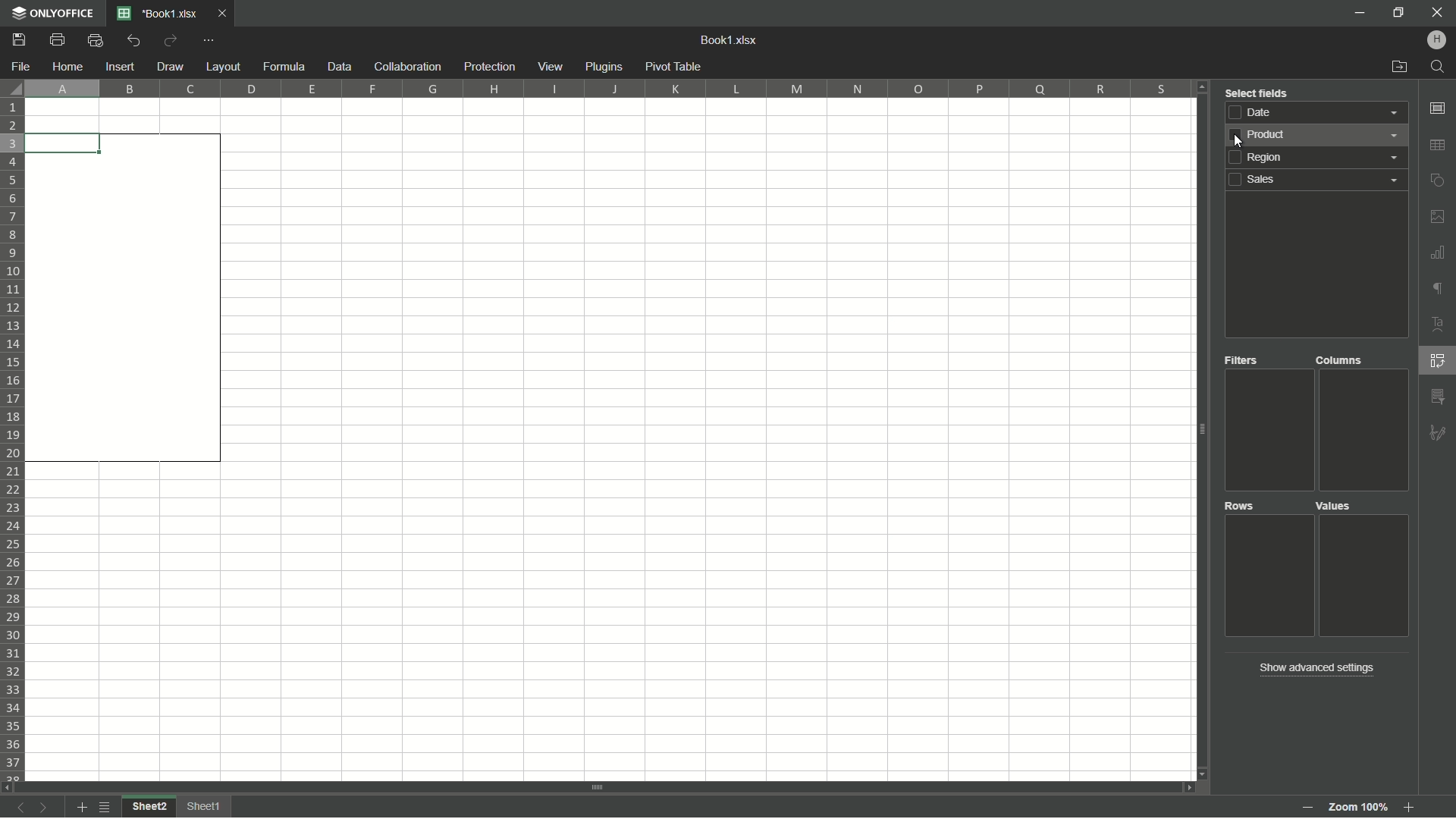  Describe the element at coordinates (225, 15) in the screenshot. I see `Close` at that location.